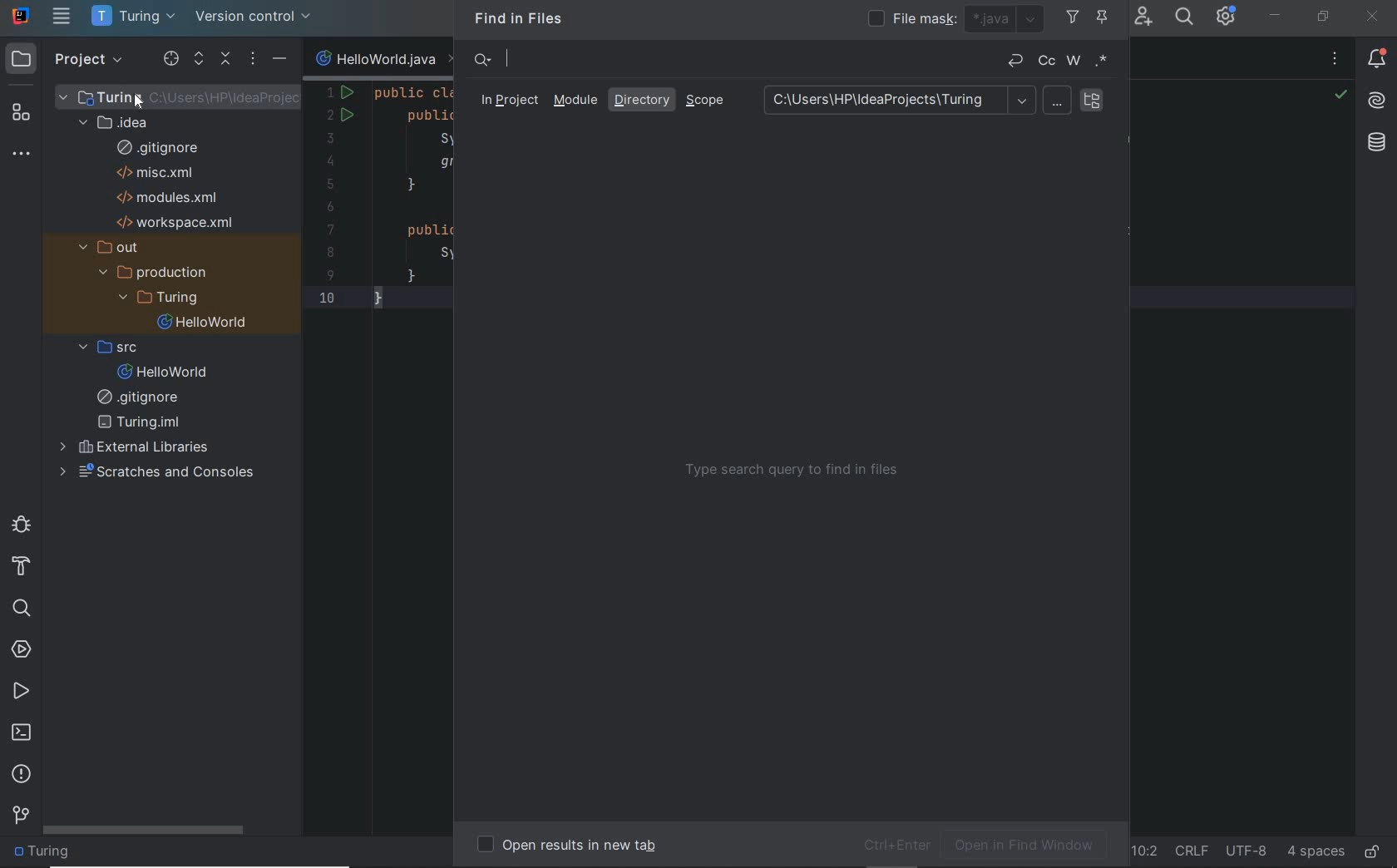  Describe the element at coordinates (1247, 851) in the screenshot. I see `file encoding` at that location.